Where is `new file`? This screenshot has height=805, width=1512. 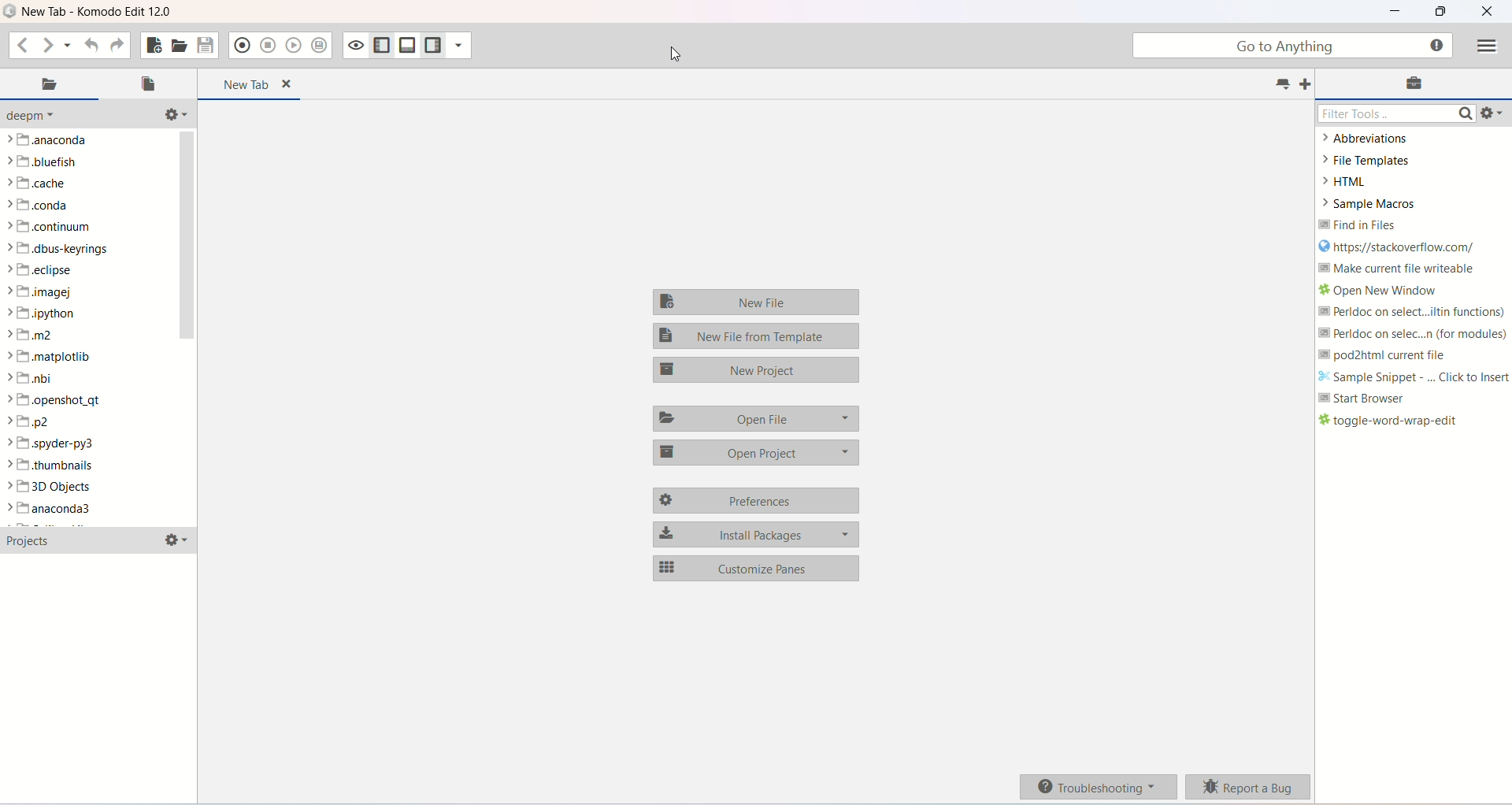 new file is located at coordinates (754, 302).